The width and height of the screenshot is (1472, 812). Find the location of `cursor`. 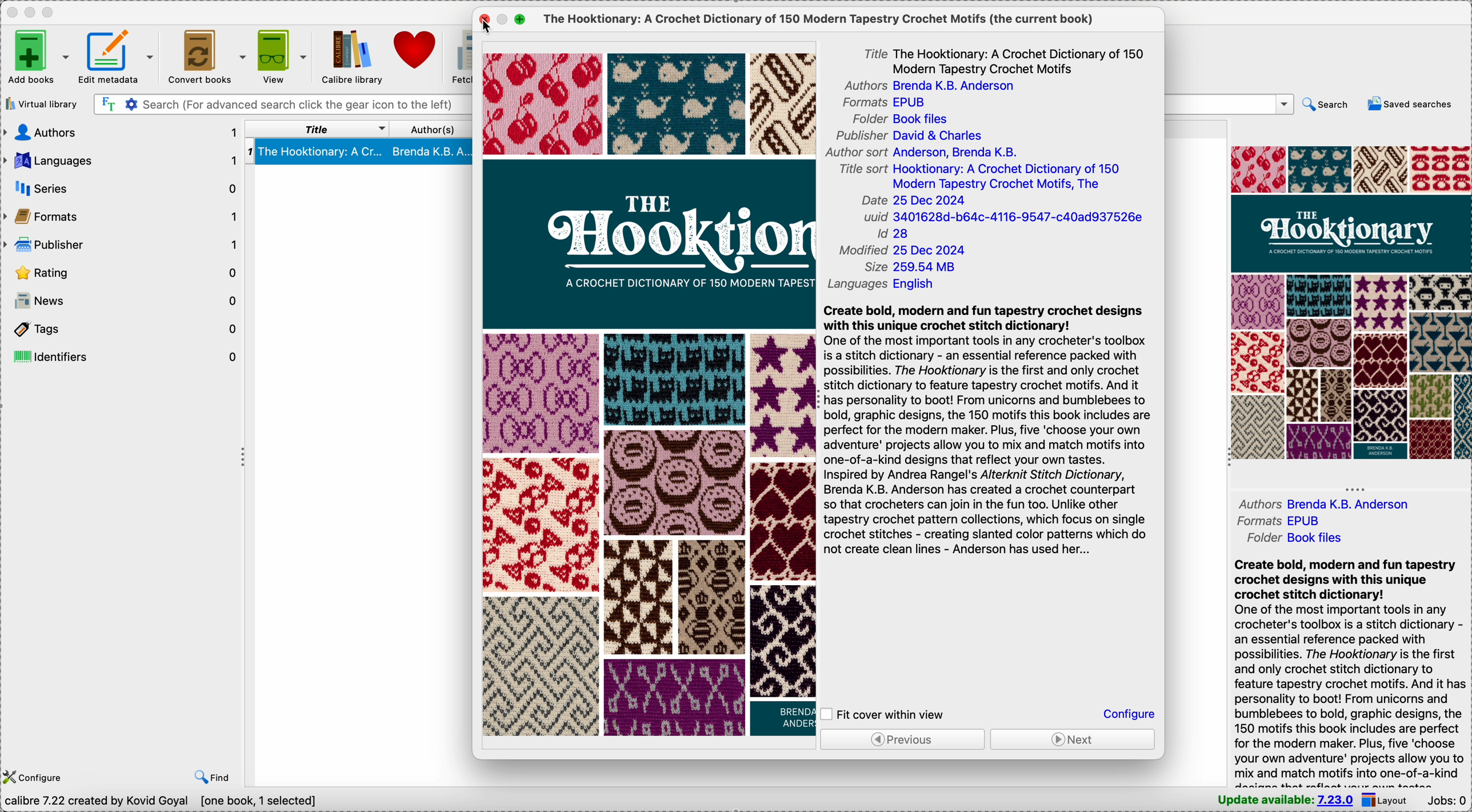

cursor is located at coordinates (490, 28).